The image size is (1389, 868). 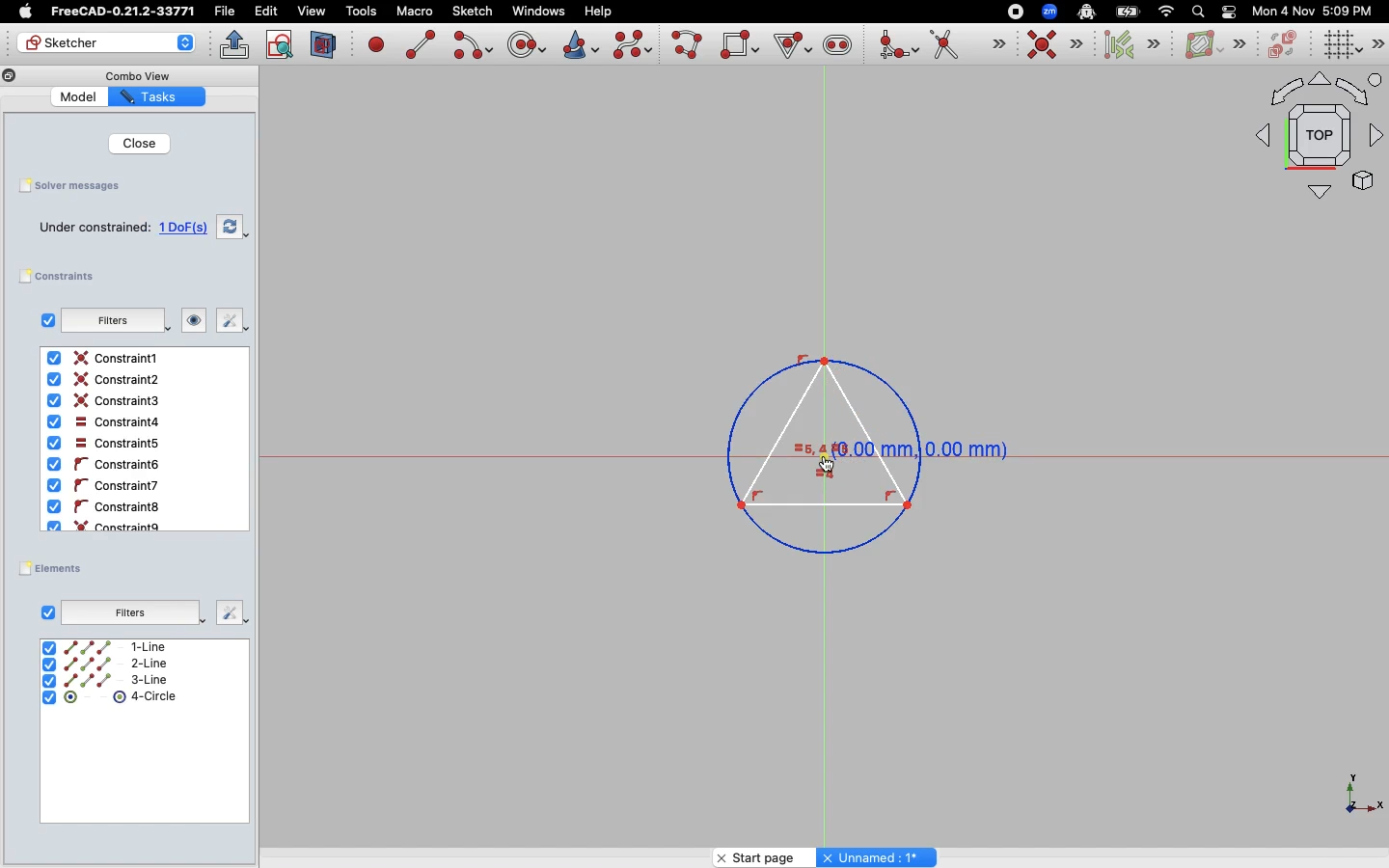 I want to click on Sketch editor tools, so click(x=1376, y=43).